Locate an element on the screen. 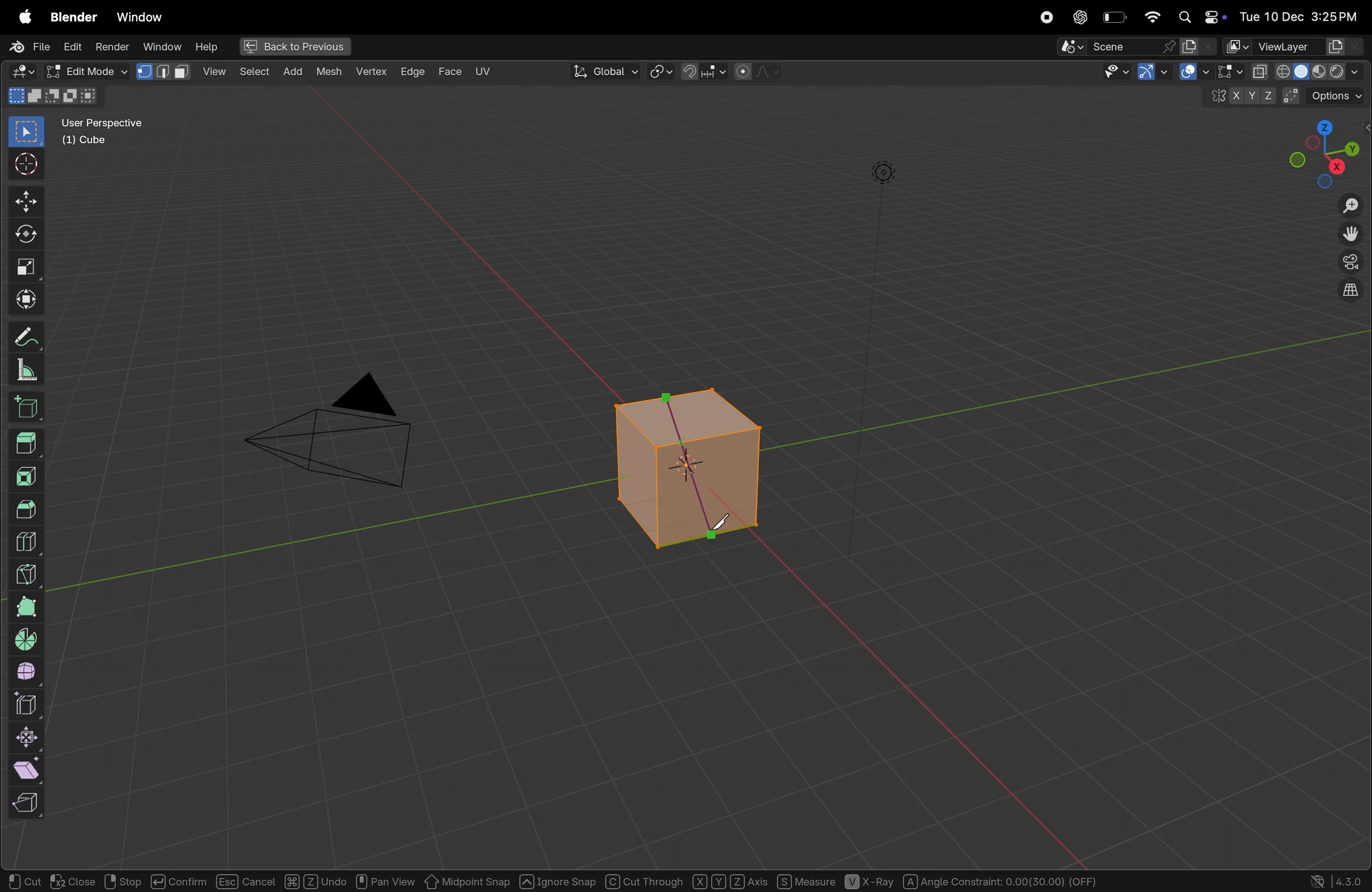 The width and height of the screenshot is (1372, 892). snap is located at coordinates (703, 73).